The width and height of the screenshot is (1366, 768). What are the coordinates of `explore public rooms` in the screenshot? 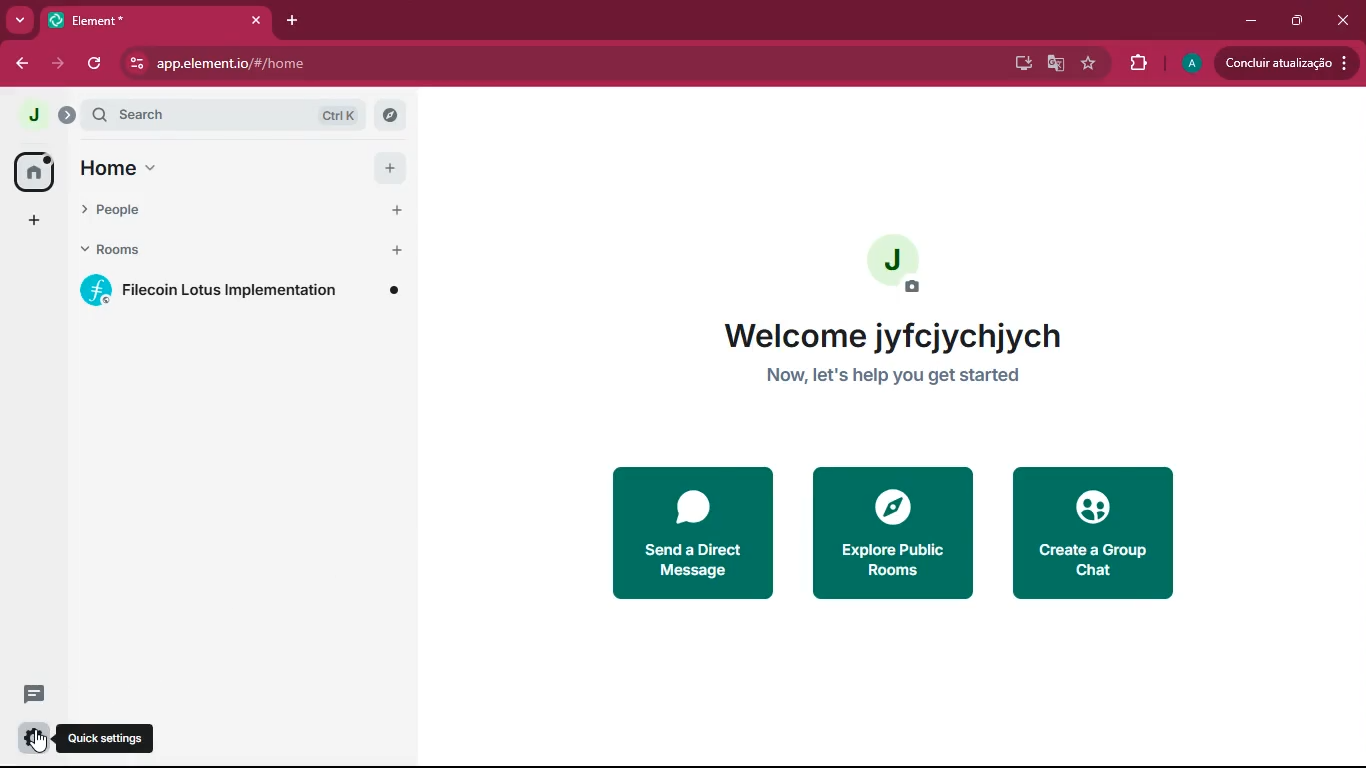 It's located at (890, 534).